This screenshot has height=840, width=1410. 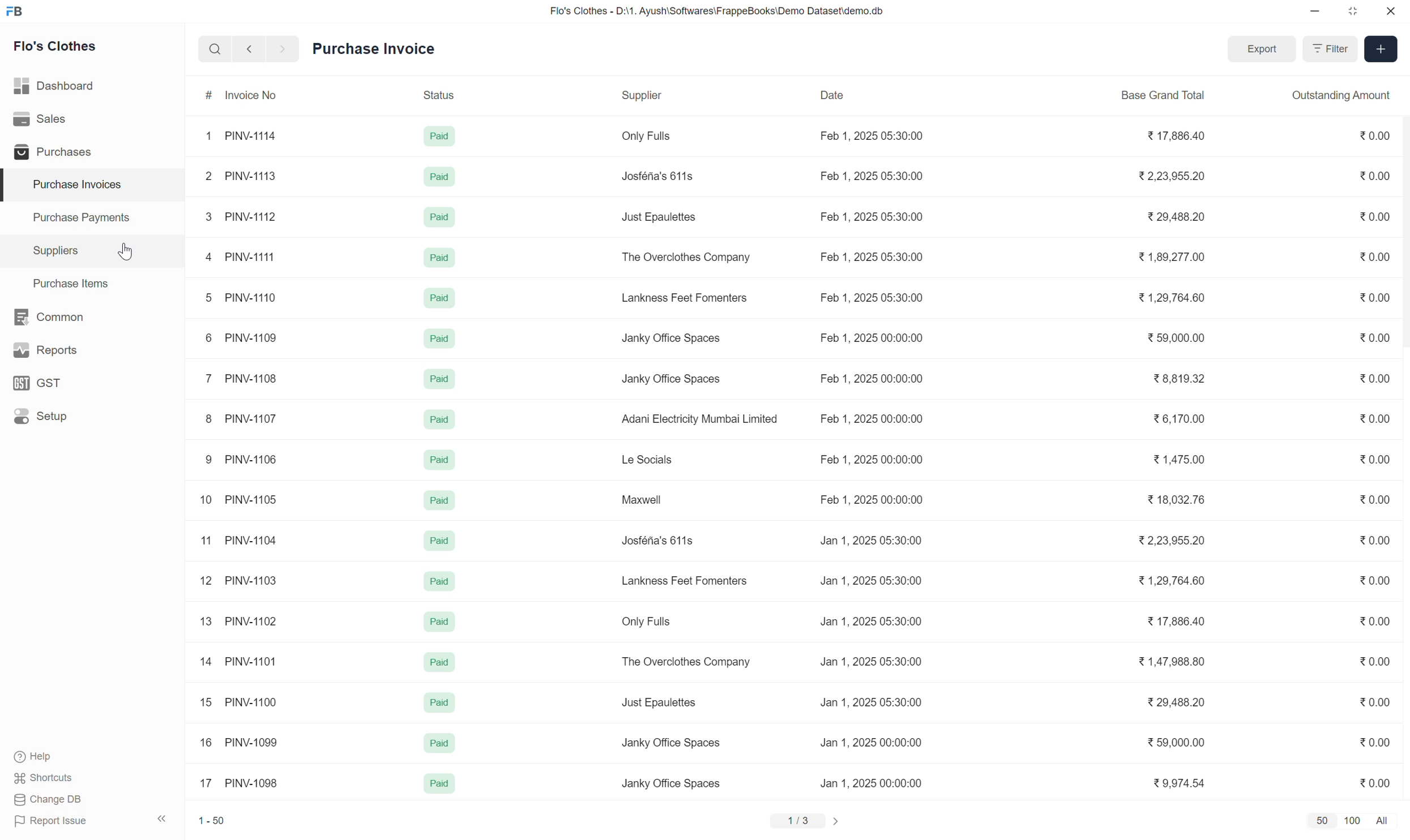 What do you see at coordinates (647, 136) in the screenshot?
I see `Only Fulls` at bounding box center [647, 136].